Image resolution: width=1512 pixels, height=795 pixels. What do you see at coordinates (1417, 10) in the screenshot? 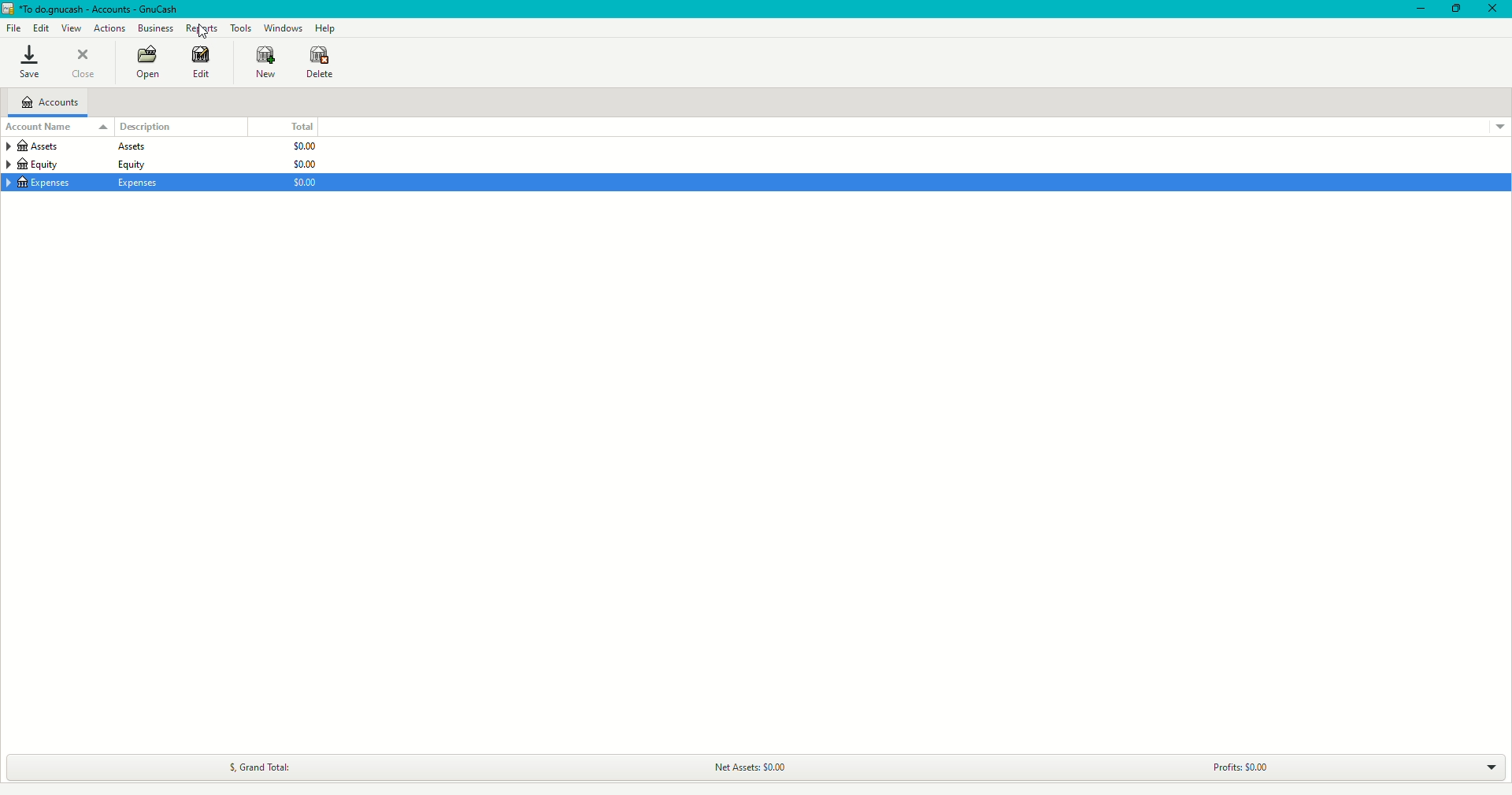
I see `Minimize` at bounding box center [1417, 10].